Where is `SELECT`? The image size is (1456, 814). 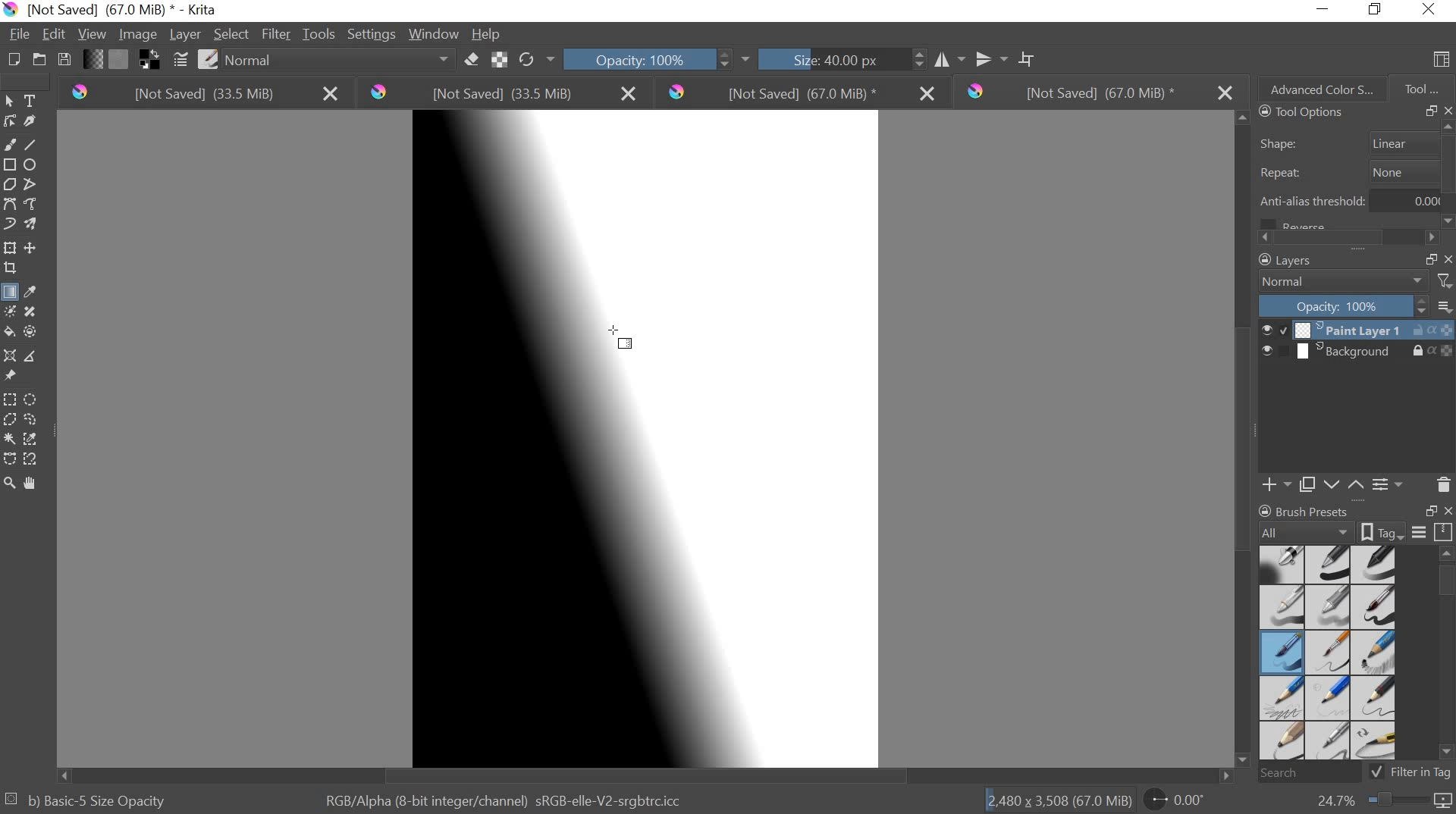
SELECT is located at coordinates (231, 34).